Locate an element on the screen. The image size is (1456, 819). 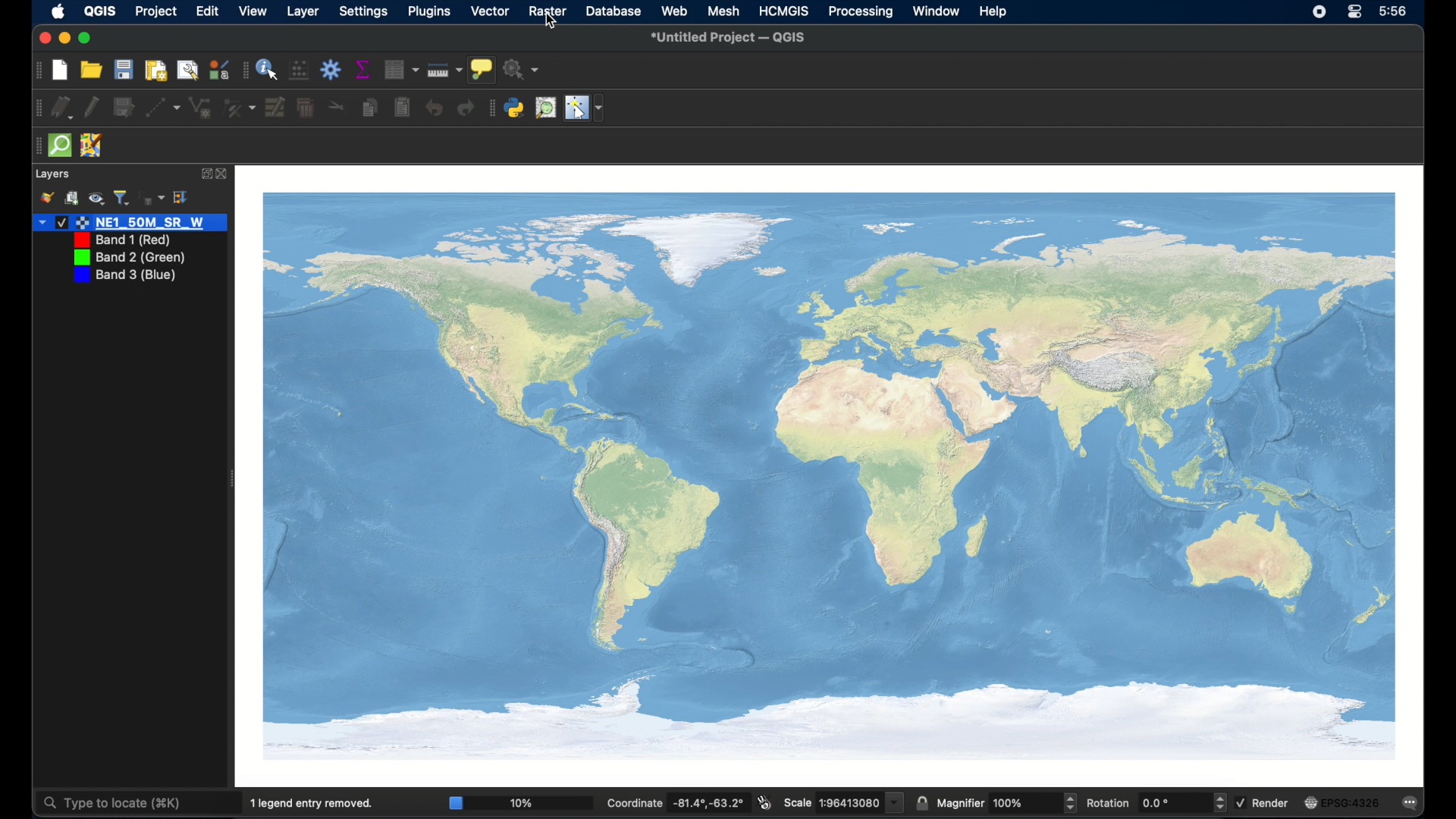
paste features is located at coordinates (401, 106).